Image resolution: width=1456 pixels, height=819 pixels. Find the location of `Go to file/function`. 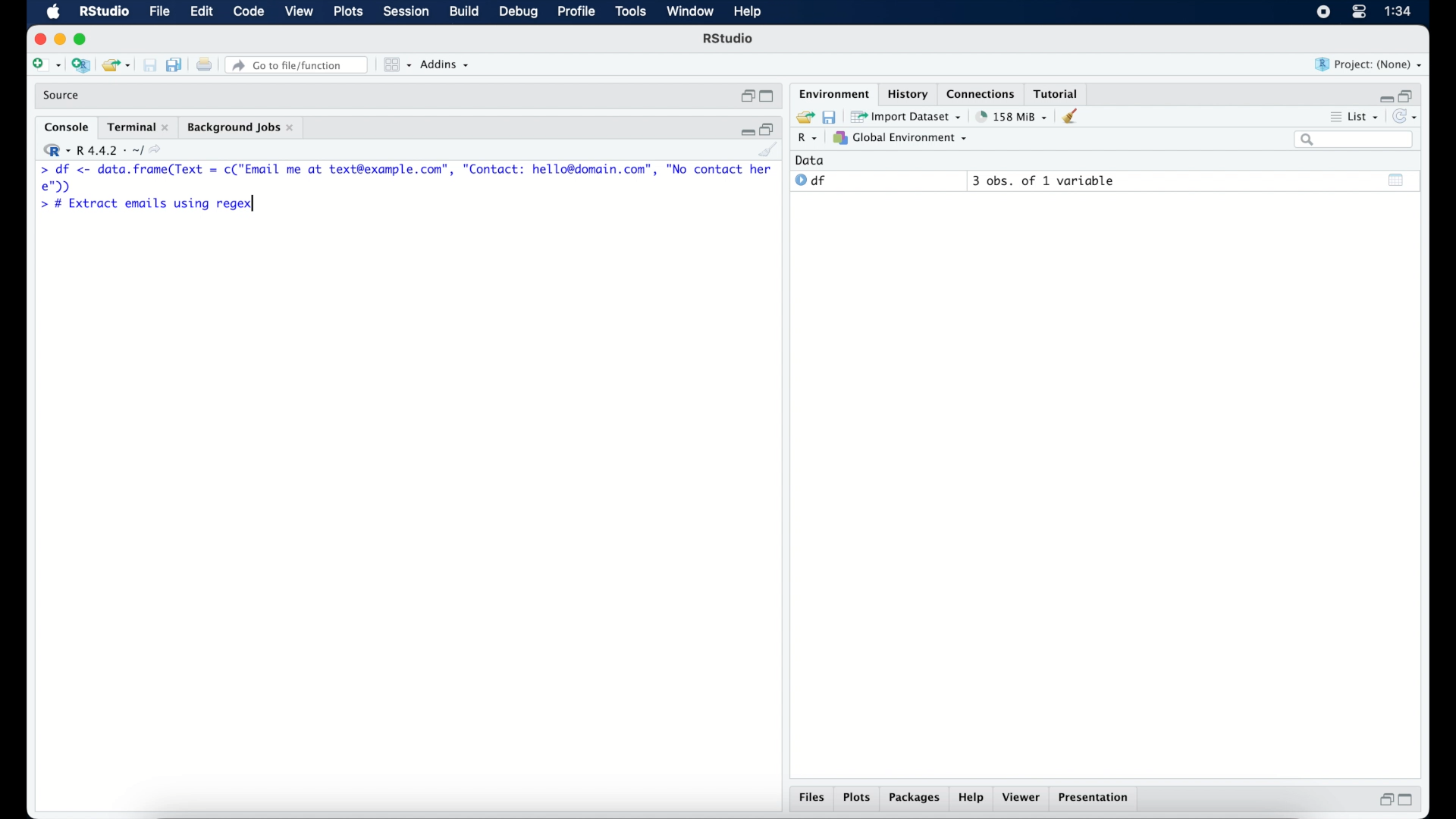

Go to file/function is located at coordinates (297, 64).